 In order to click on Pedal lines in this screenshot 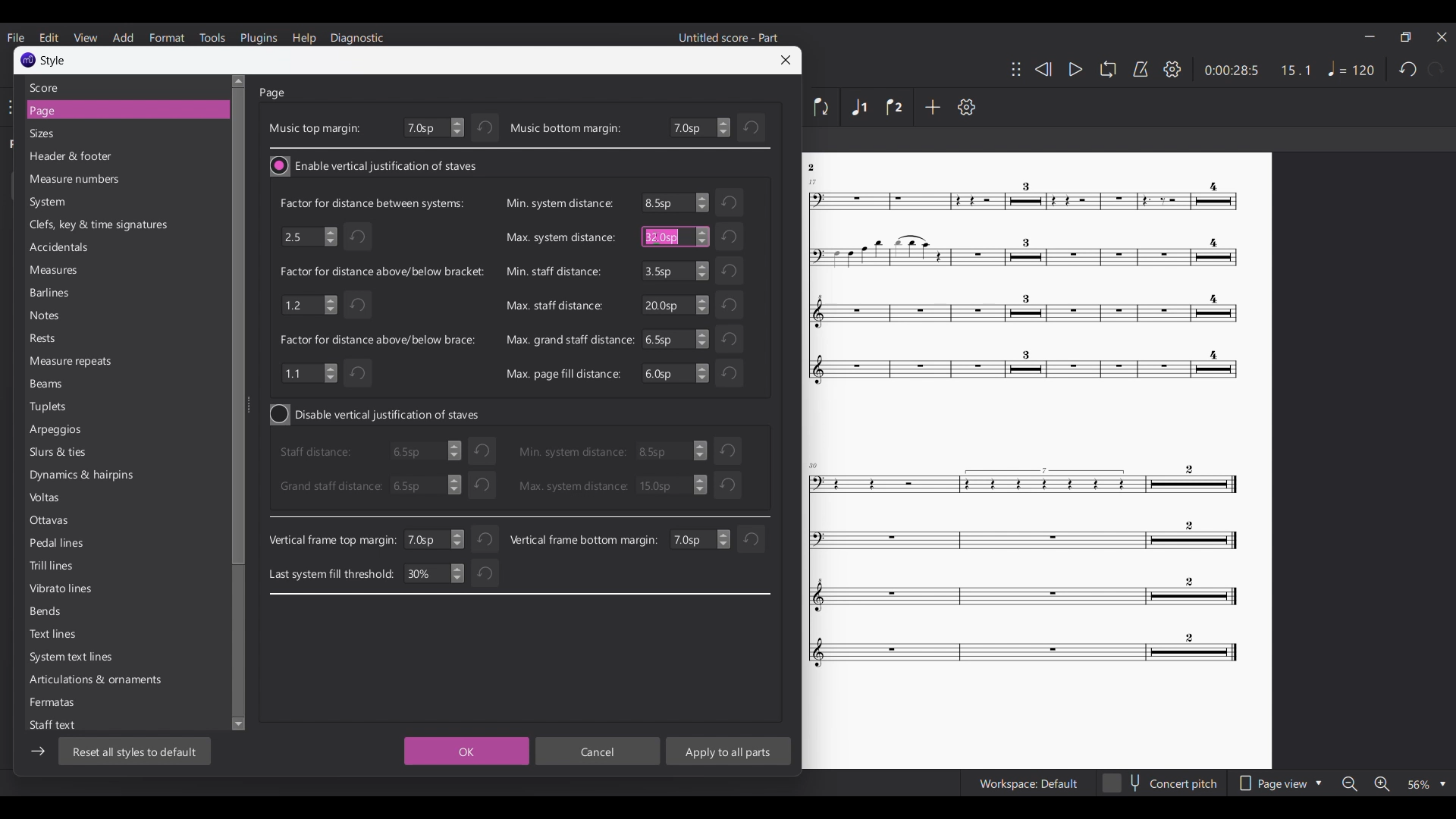, I will do `click(80, 544)`.